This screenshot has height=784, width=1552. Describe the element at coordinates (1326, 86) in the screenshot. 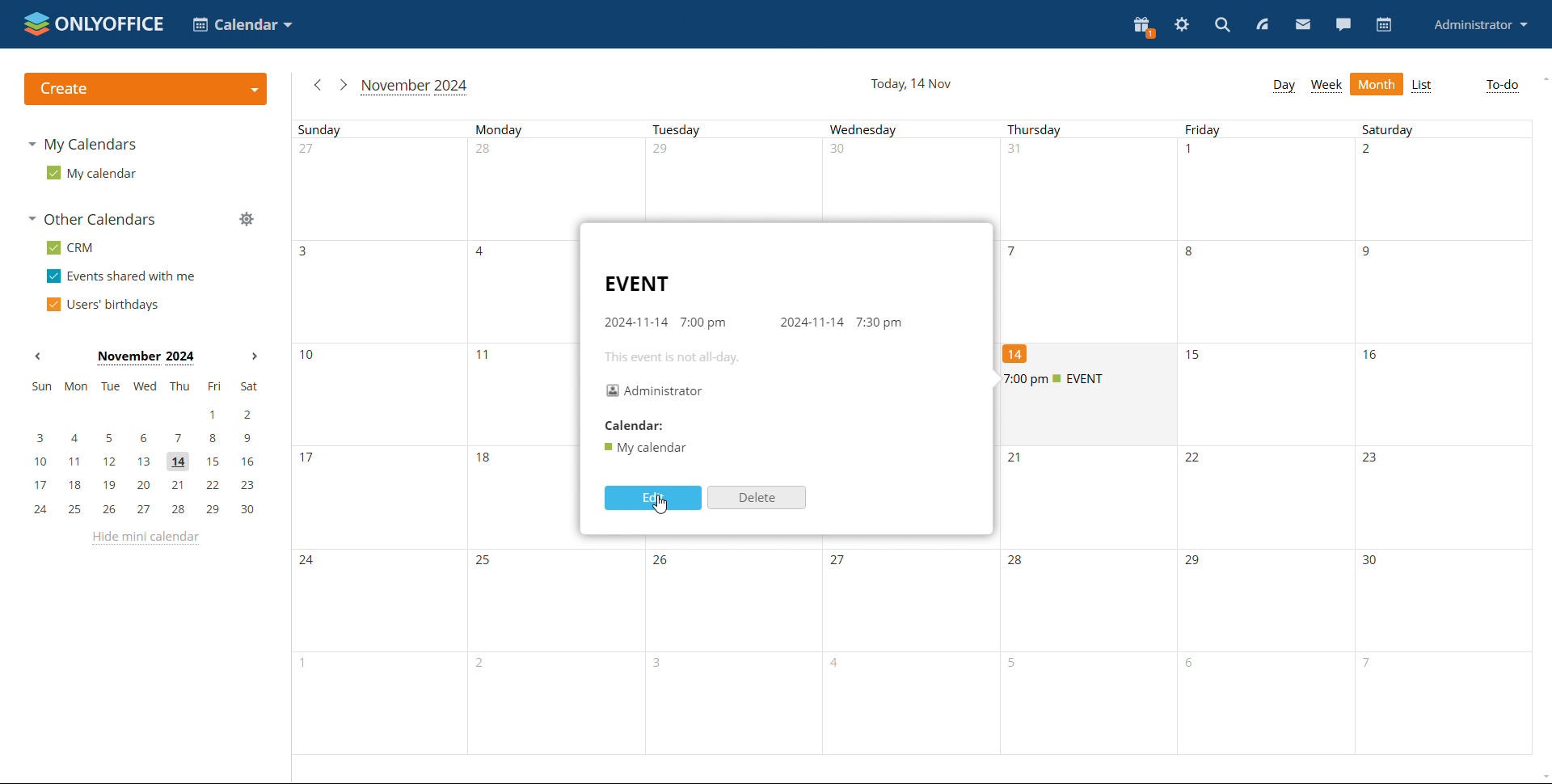

I see `week view` at that location.